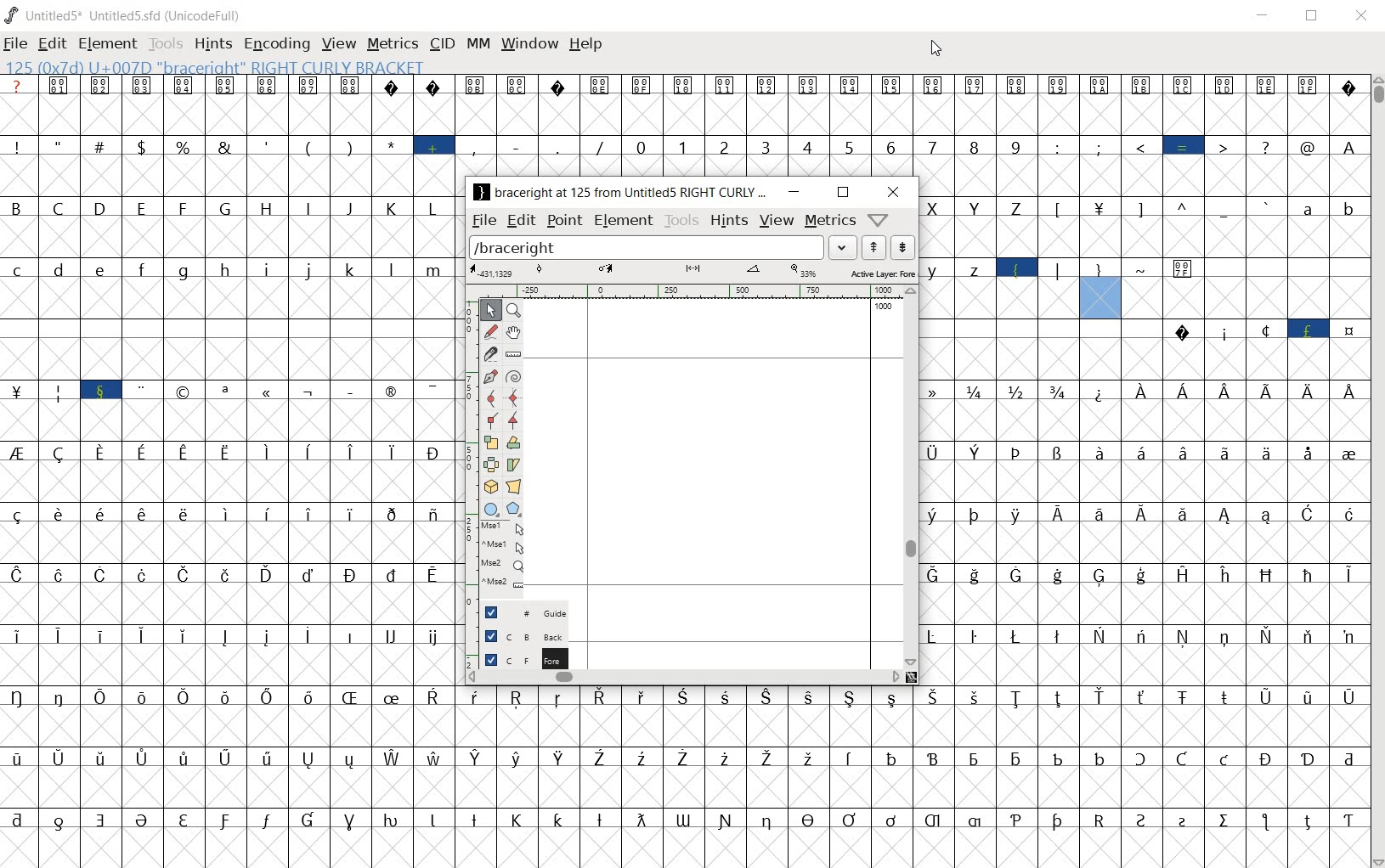  What do you see at coordinates (489, 330) in the screenshot?
I see `draw a freehand curve` at bounding box center [489, 330].